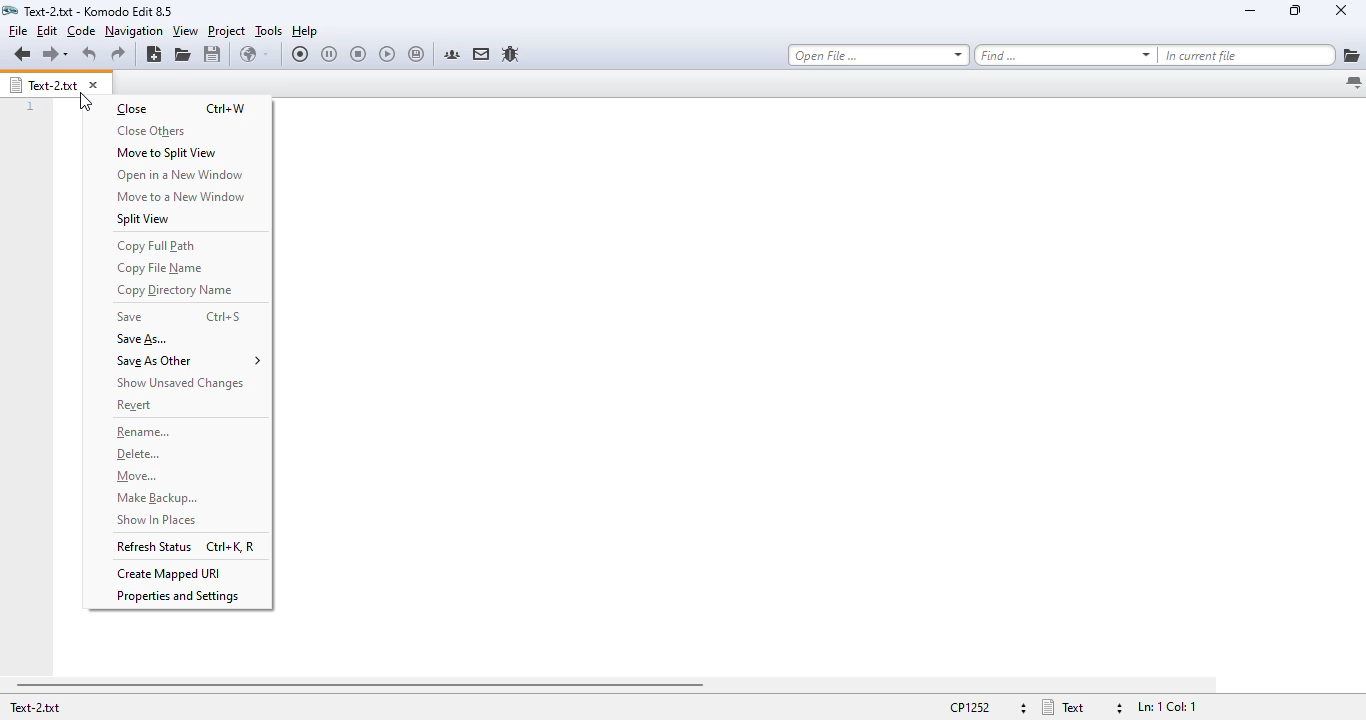 Image resolution: width=1366 pixels, height=720 pixels. I want to click on move, so click(138, 476).